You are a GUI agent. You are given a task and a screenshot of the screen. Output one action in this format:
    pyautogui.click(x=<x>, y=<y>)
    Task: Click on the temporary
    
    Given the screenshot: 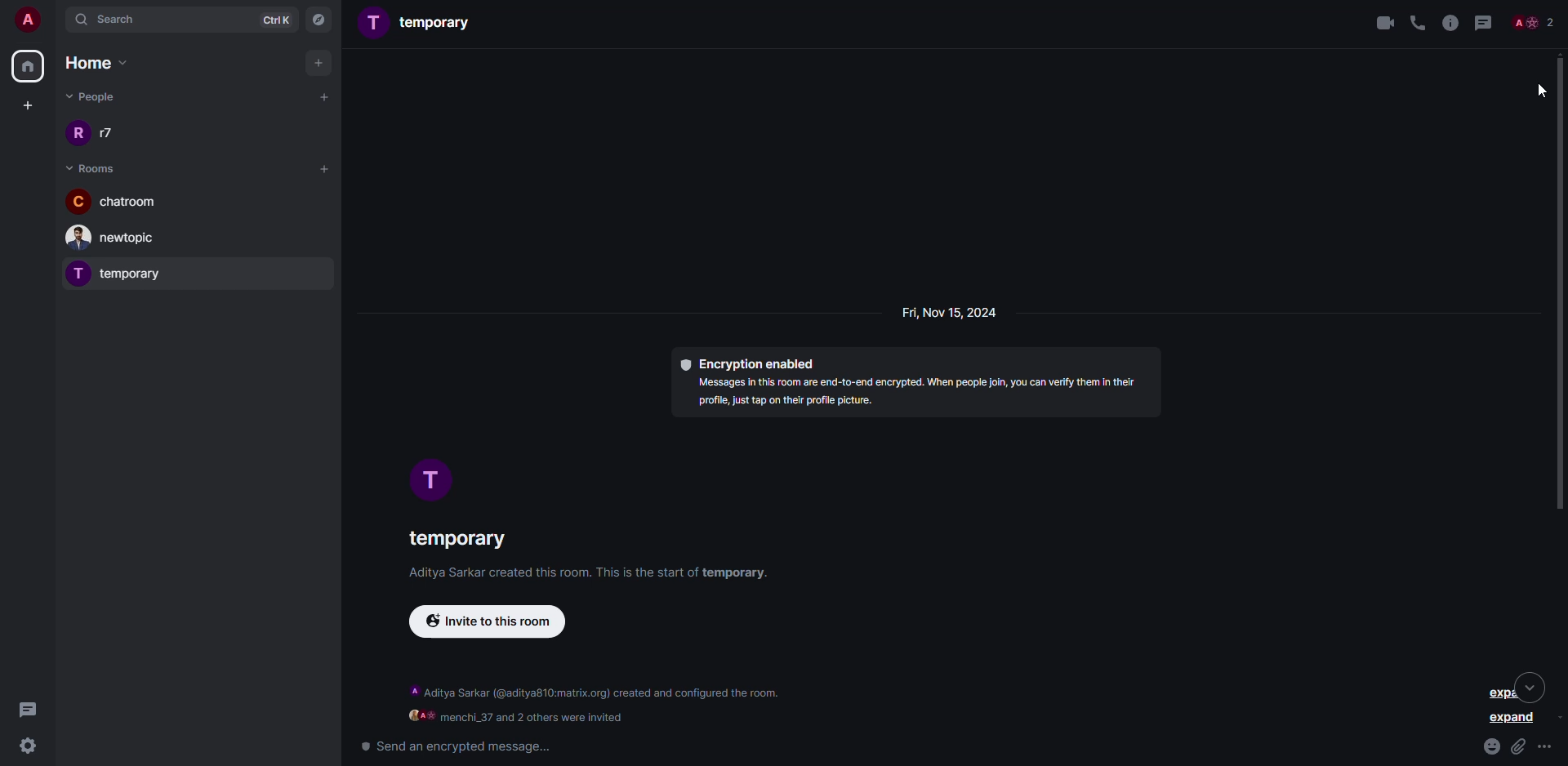 What is the action you would take?
    pyautogui.click(x=456, y=539)
    